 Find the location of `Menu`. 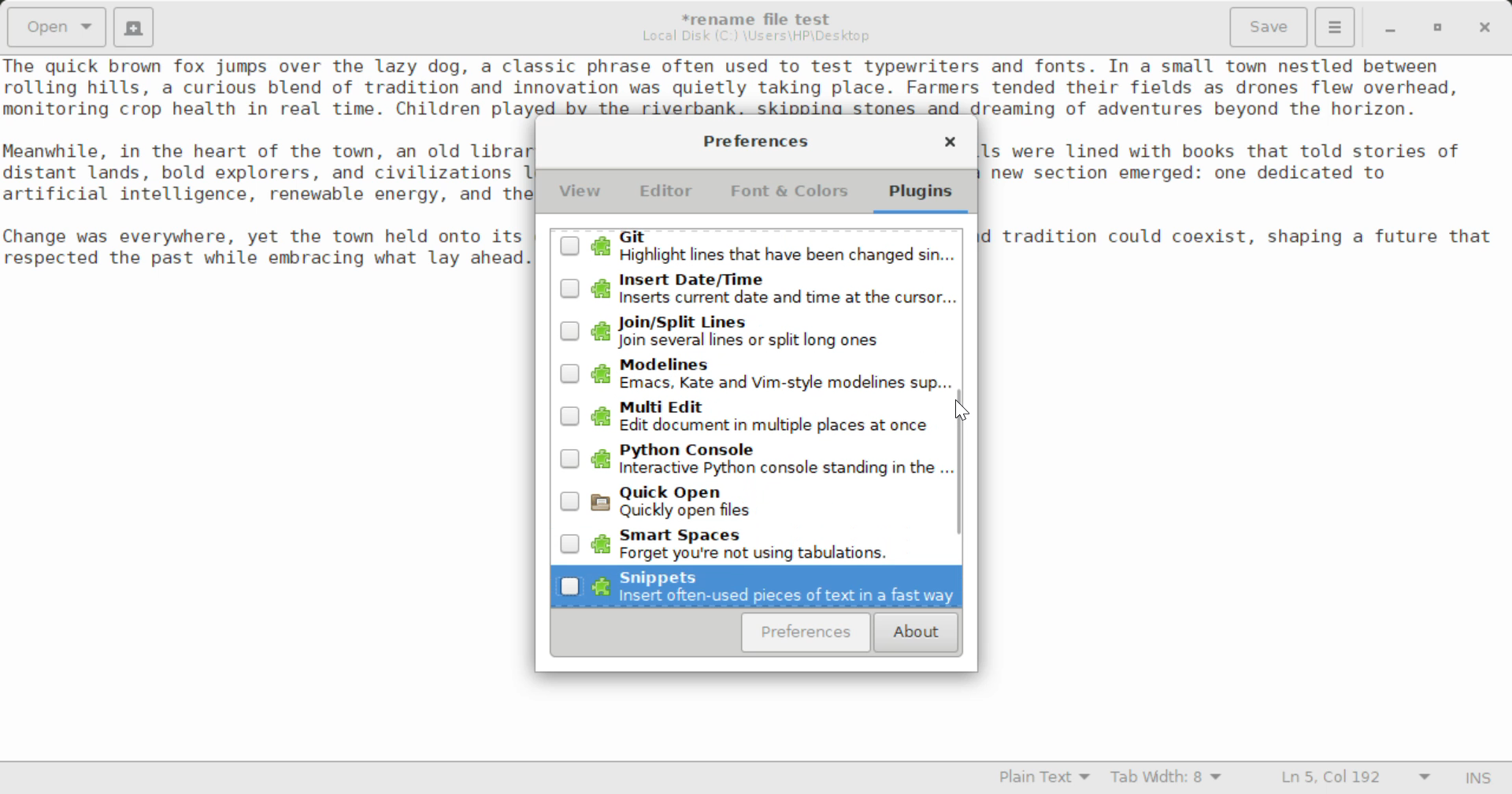

Menu is located at coordinates (1334, 25).